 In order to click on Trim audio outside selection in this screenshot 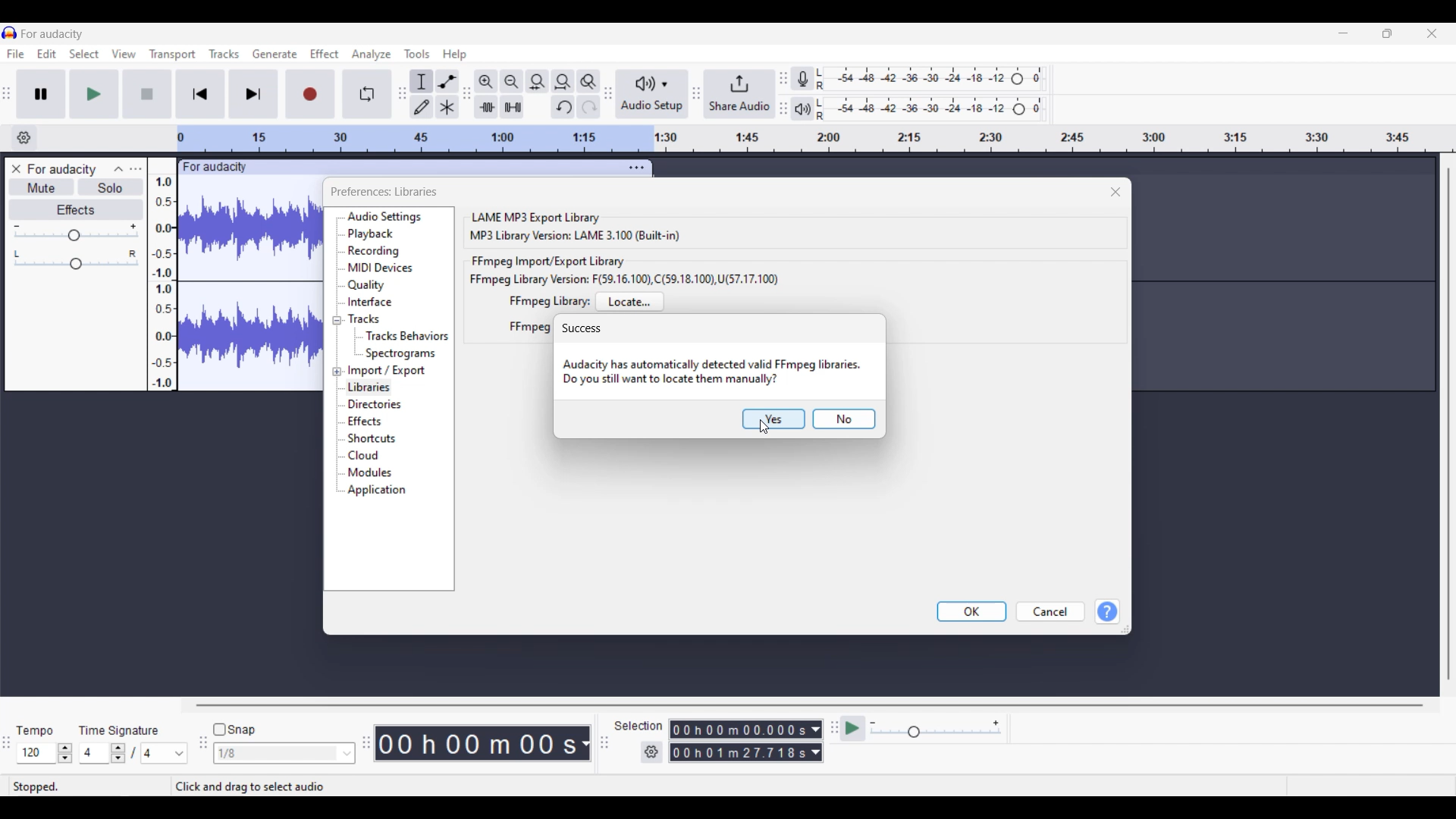, I will do `click(486, 107)`.